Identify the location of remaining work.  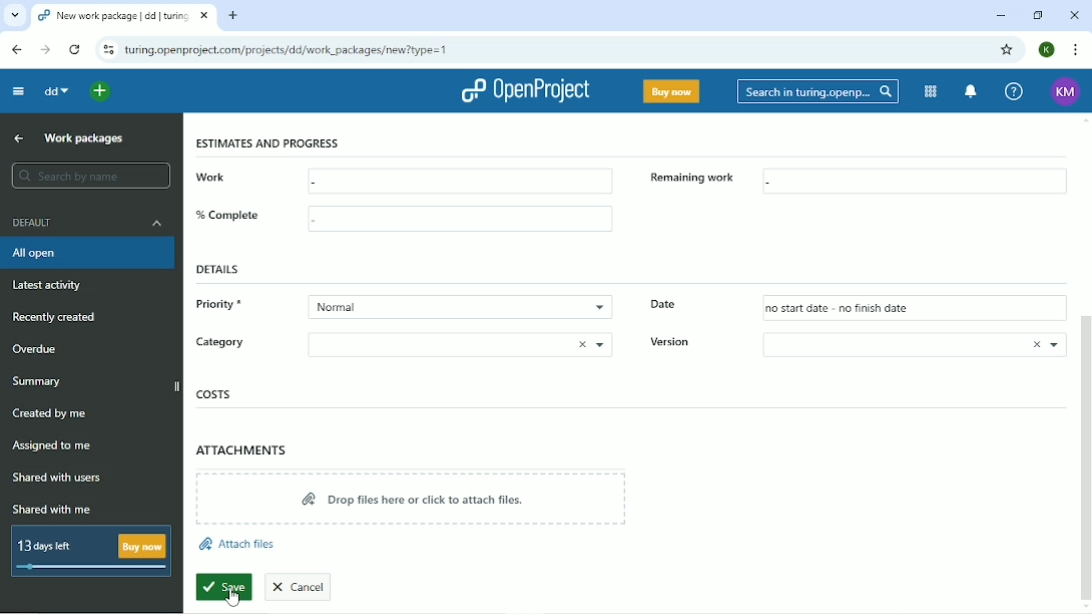
(693, 178).